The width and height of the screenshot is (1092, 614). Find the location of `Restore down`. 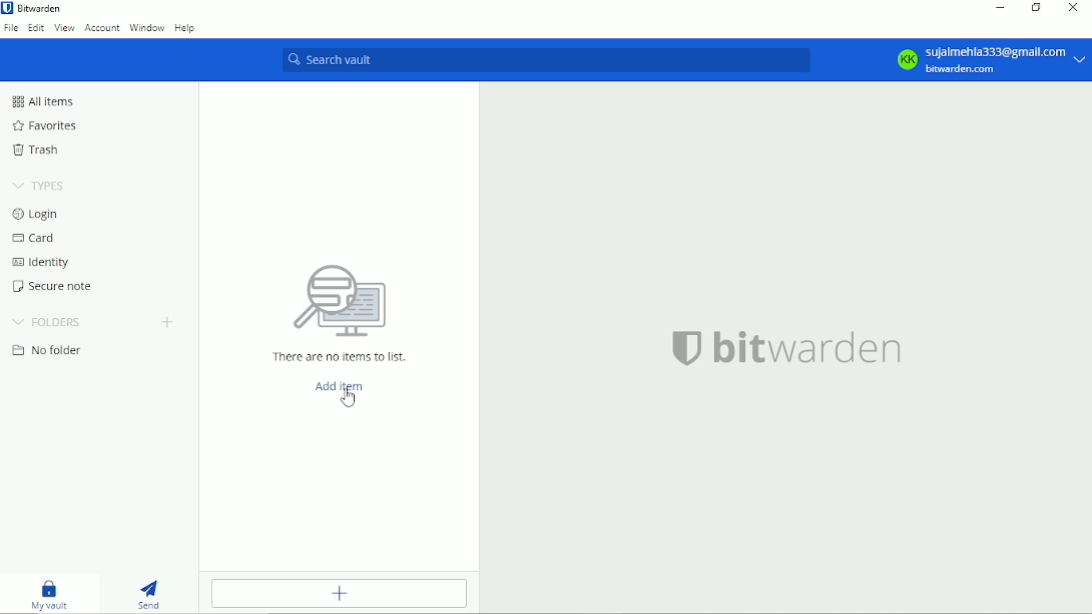

Restore down is located at coordinates (1037, 8).